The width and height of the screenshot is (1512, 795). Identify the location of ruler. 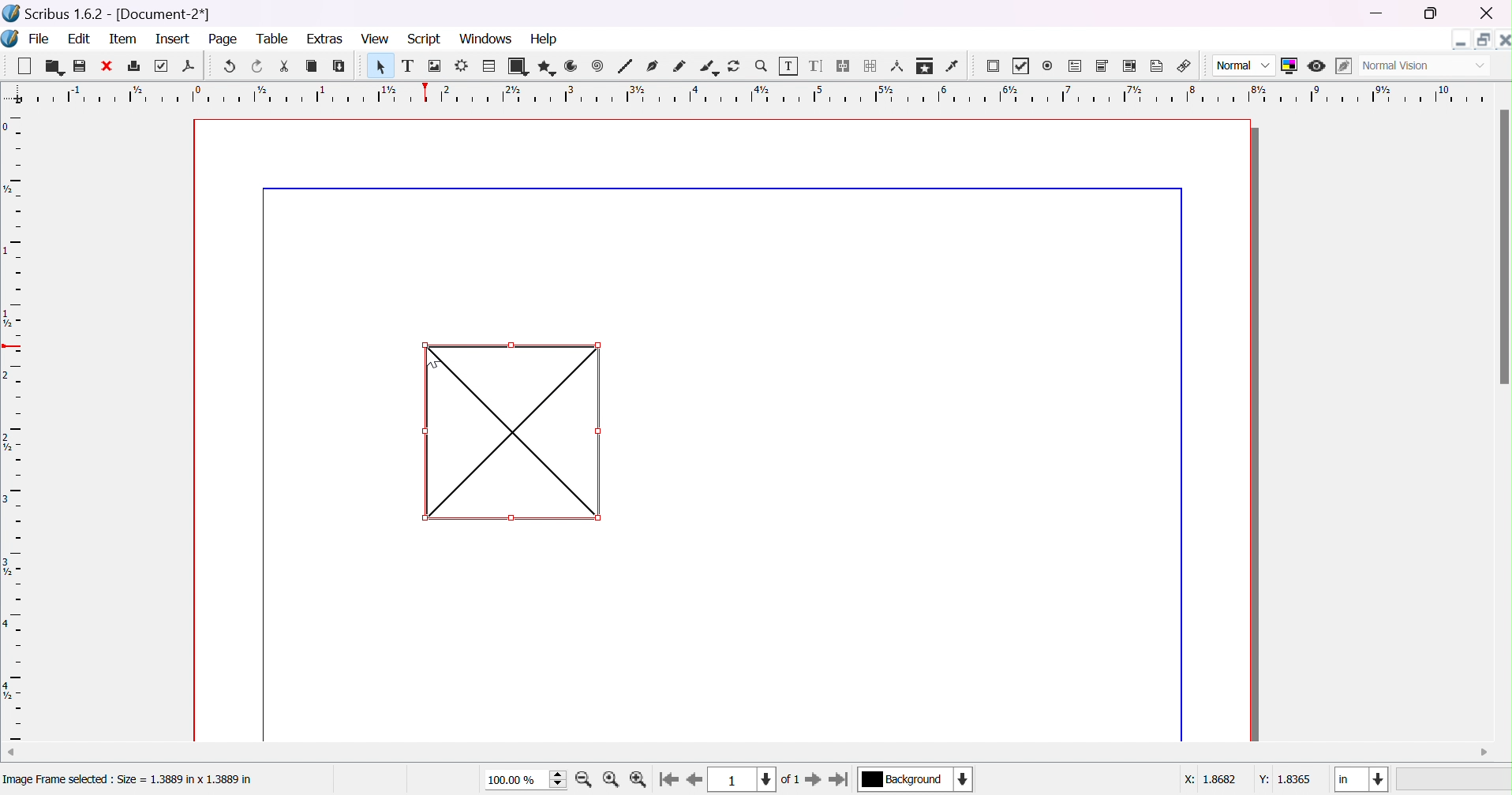
(13, 427).